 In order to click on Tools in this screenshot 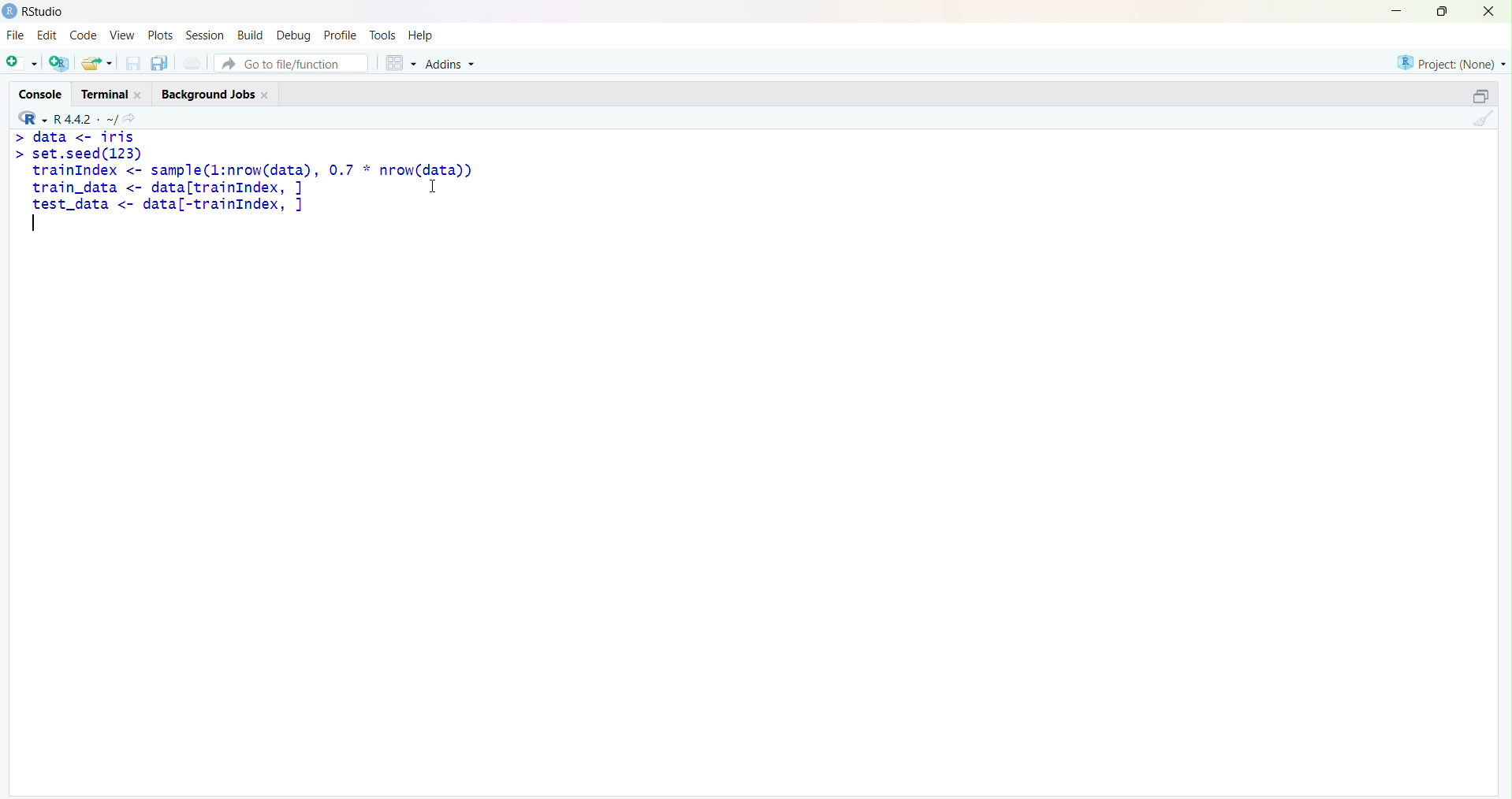, I will do `click(382, 34)`.